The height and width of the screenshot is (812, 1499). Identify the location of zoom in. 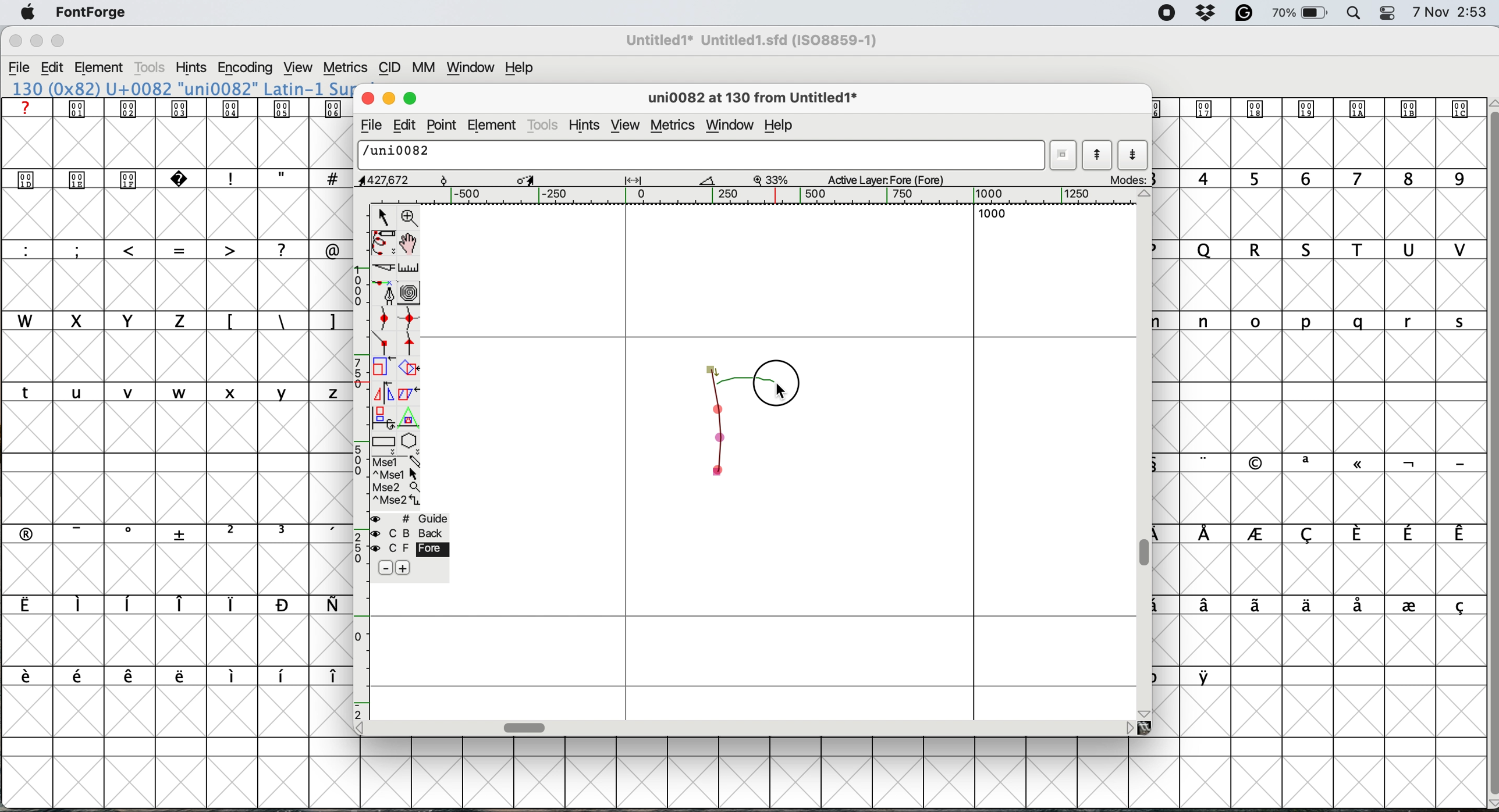
(411, 217).